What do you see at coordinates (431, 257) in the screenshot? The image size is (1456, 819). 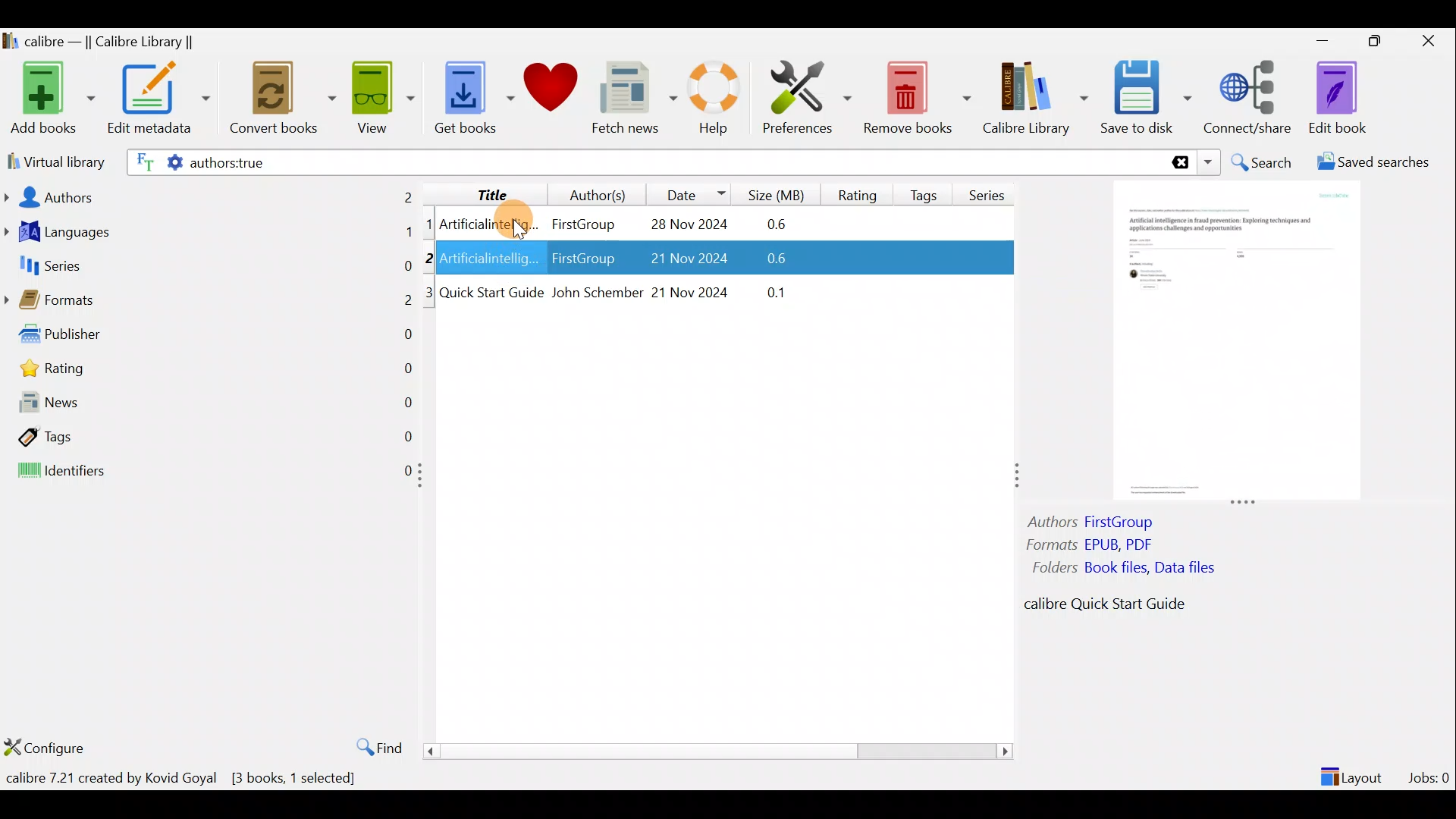 I see `2` at bounding box center [431, 257].